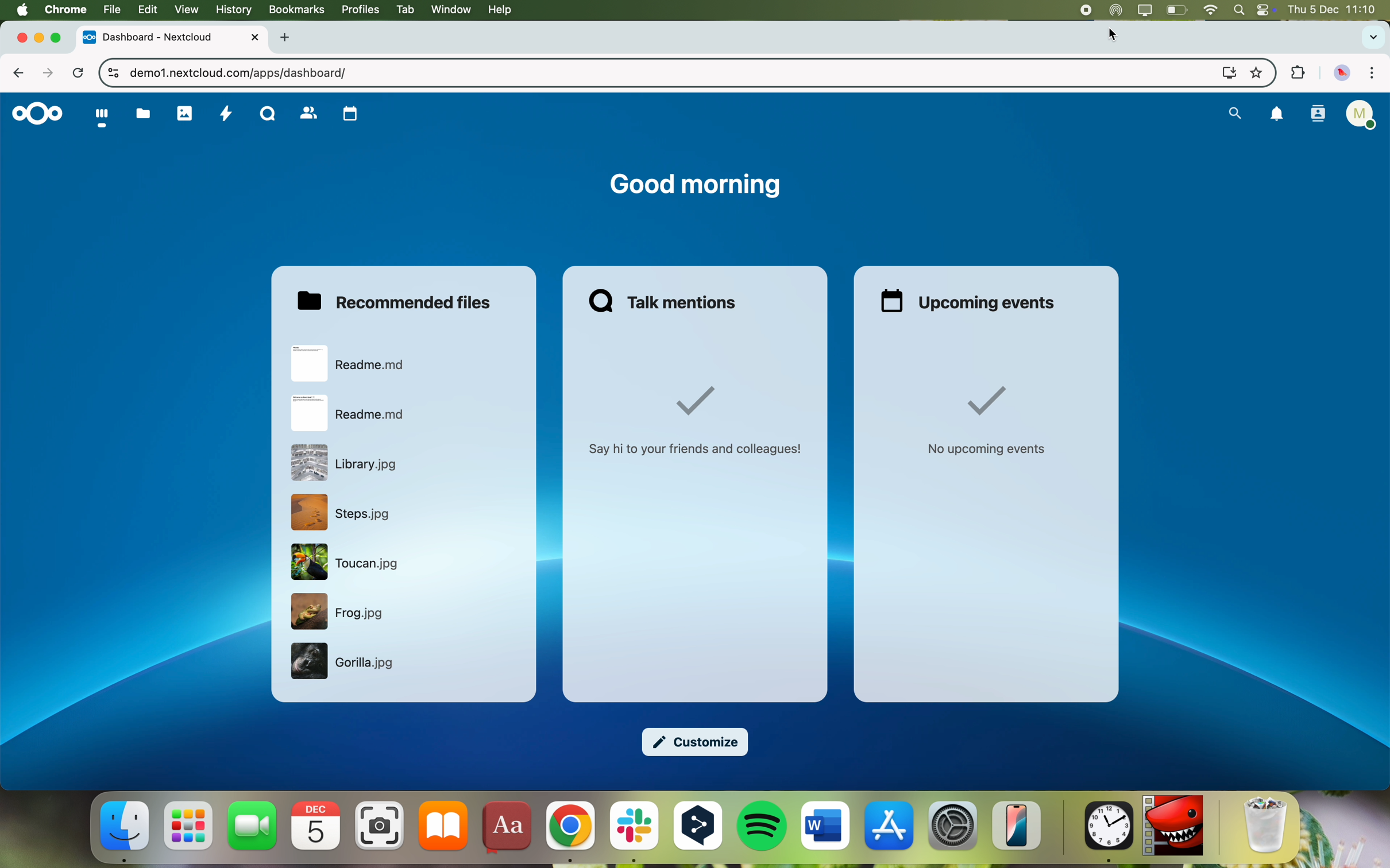 This screenshot has height=868, width=1390. What do you see at coordinates (1256, 71) in the screenshot?
I see `favorites` at bounding box center [1256, 71].